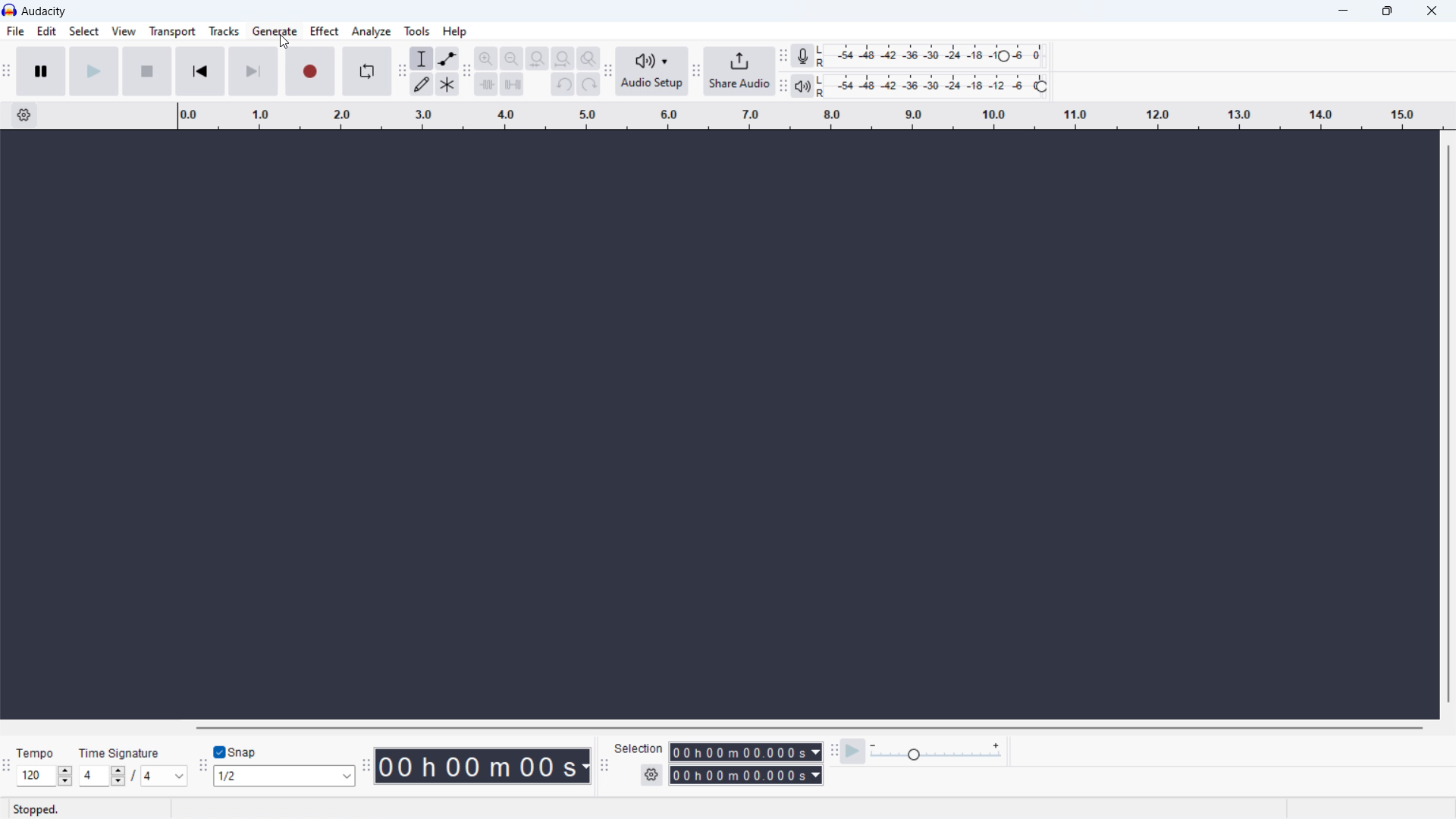 This screenshot has width=1456, height=819. What do you see at coordinates (25, 116) in the screenshot?
I see `timeline options` at bounding box center [25, 116].